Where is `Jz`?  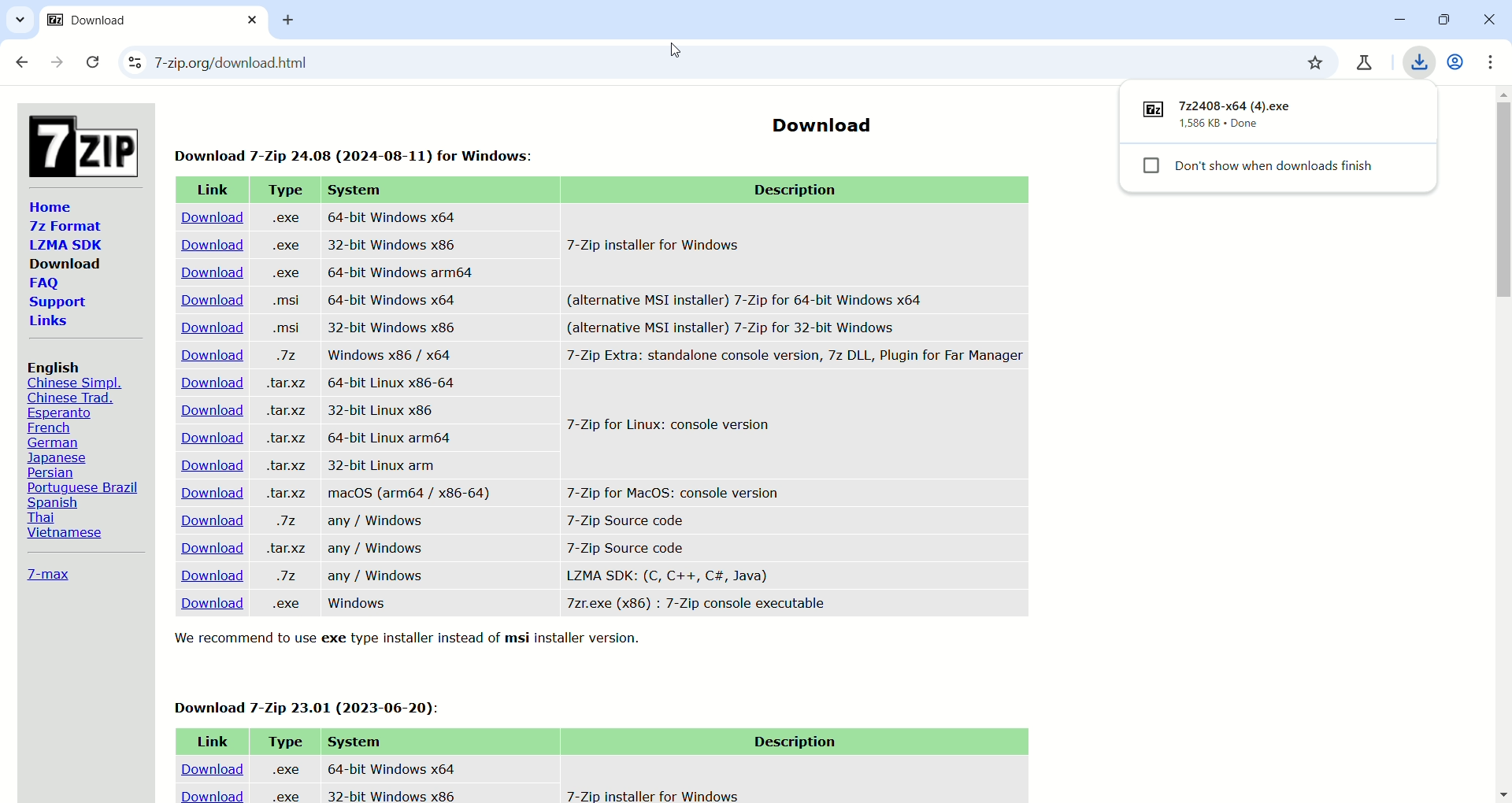
Jz is located at coordinates (287, 357).